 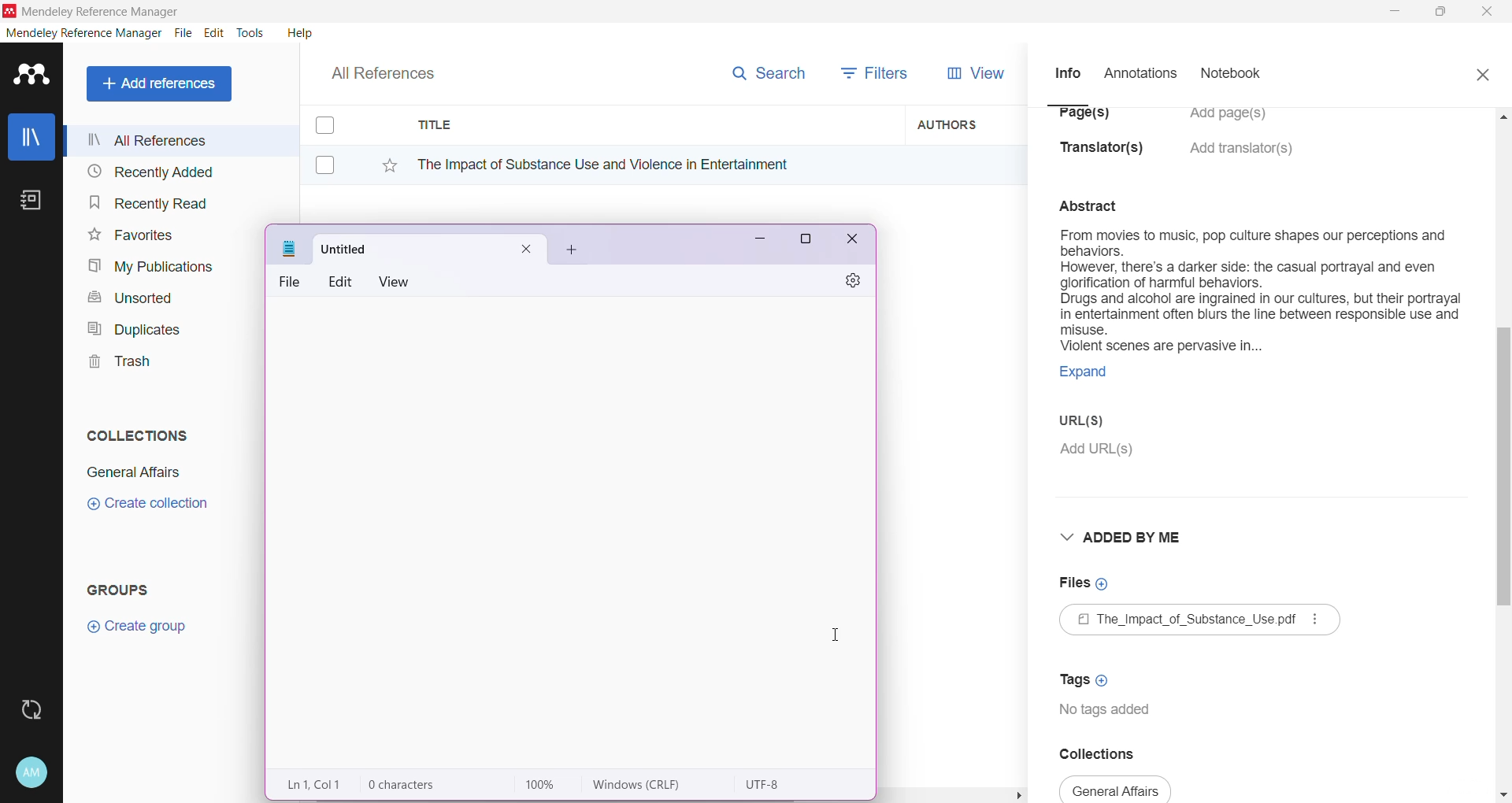 I want to click on Tools, so click(x=251, y=33).